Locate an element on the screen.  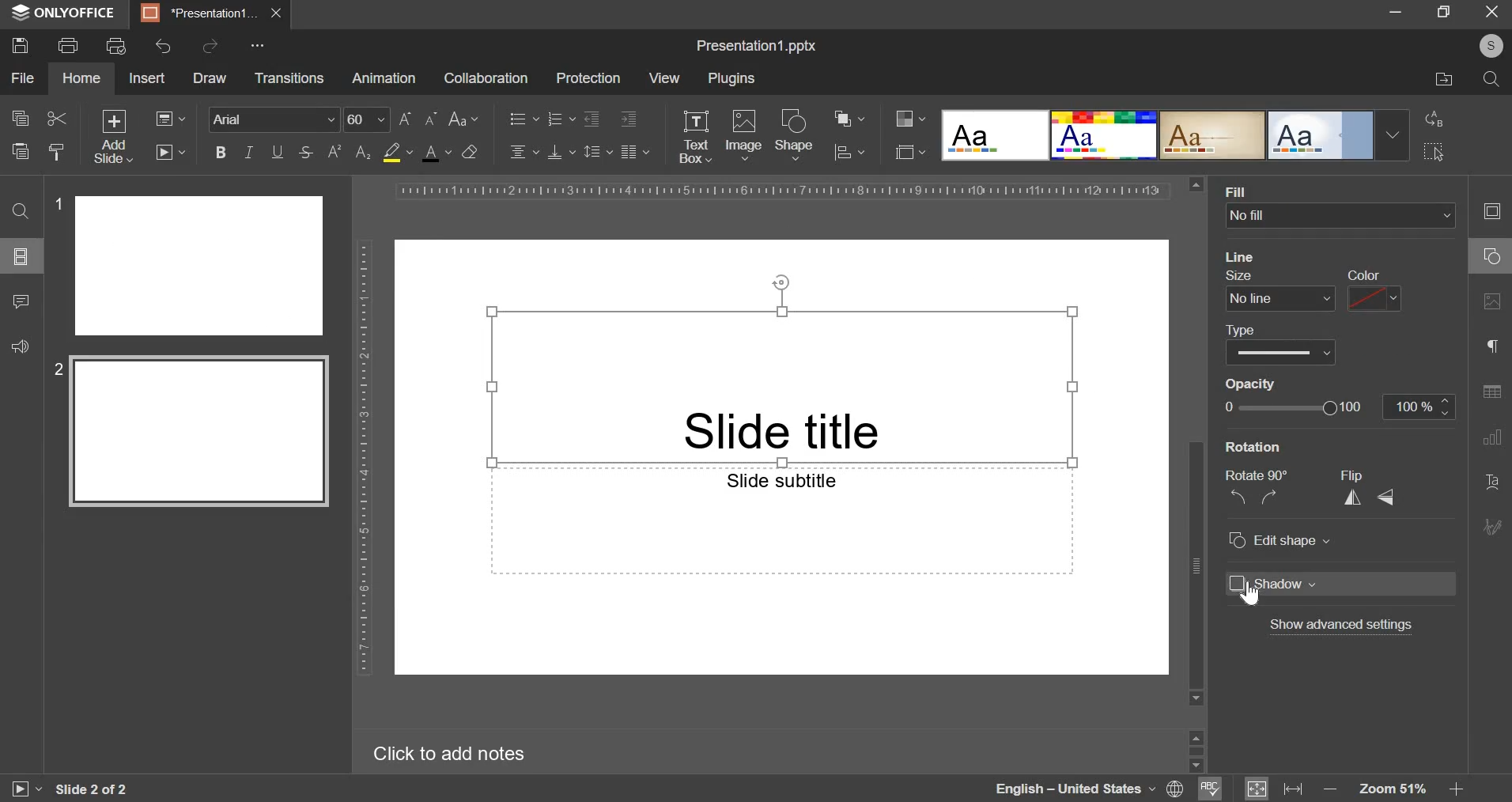
slide settings is located at coordinates (1496, 211).